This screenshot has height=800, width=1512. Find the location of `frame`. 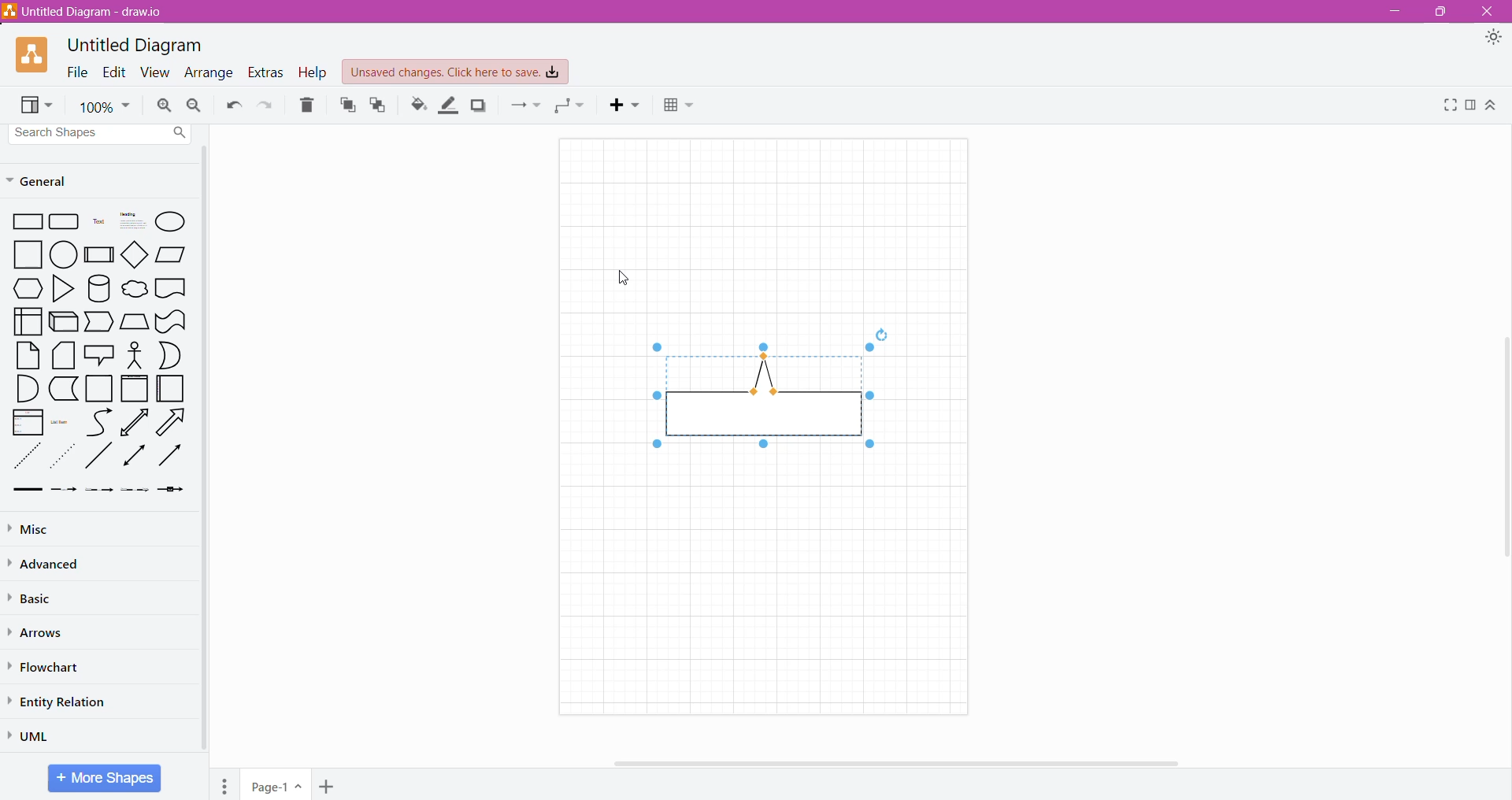

frame is located at coordinates (135, 388).